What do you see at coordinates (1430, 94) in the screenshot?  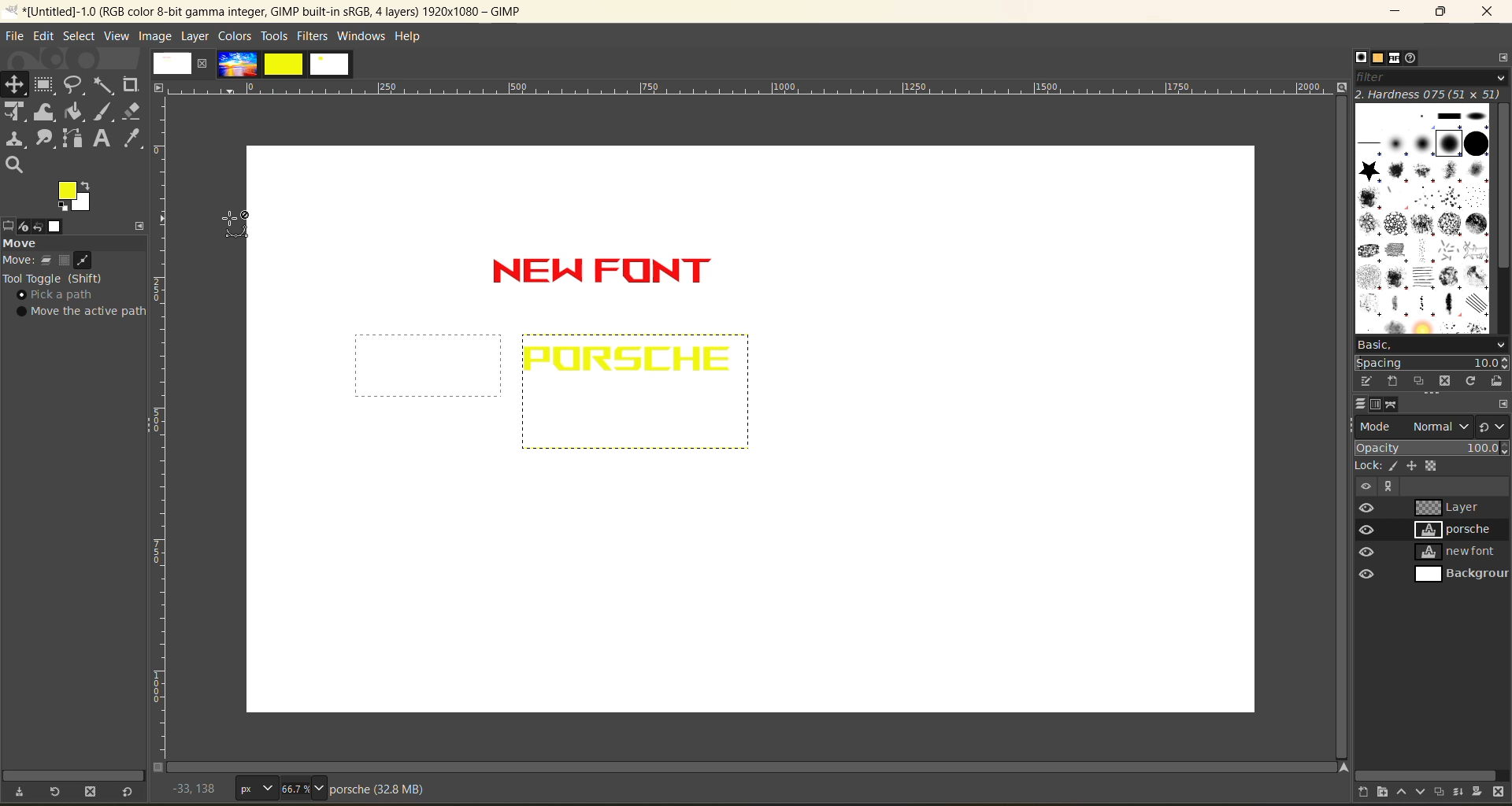 I see `hardness` at bounding box center [1430, 94].